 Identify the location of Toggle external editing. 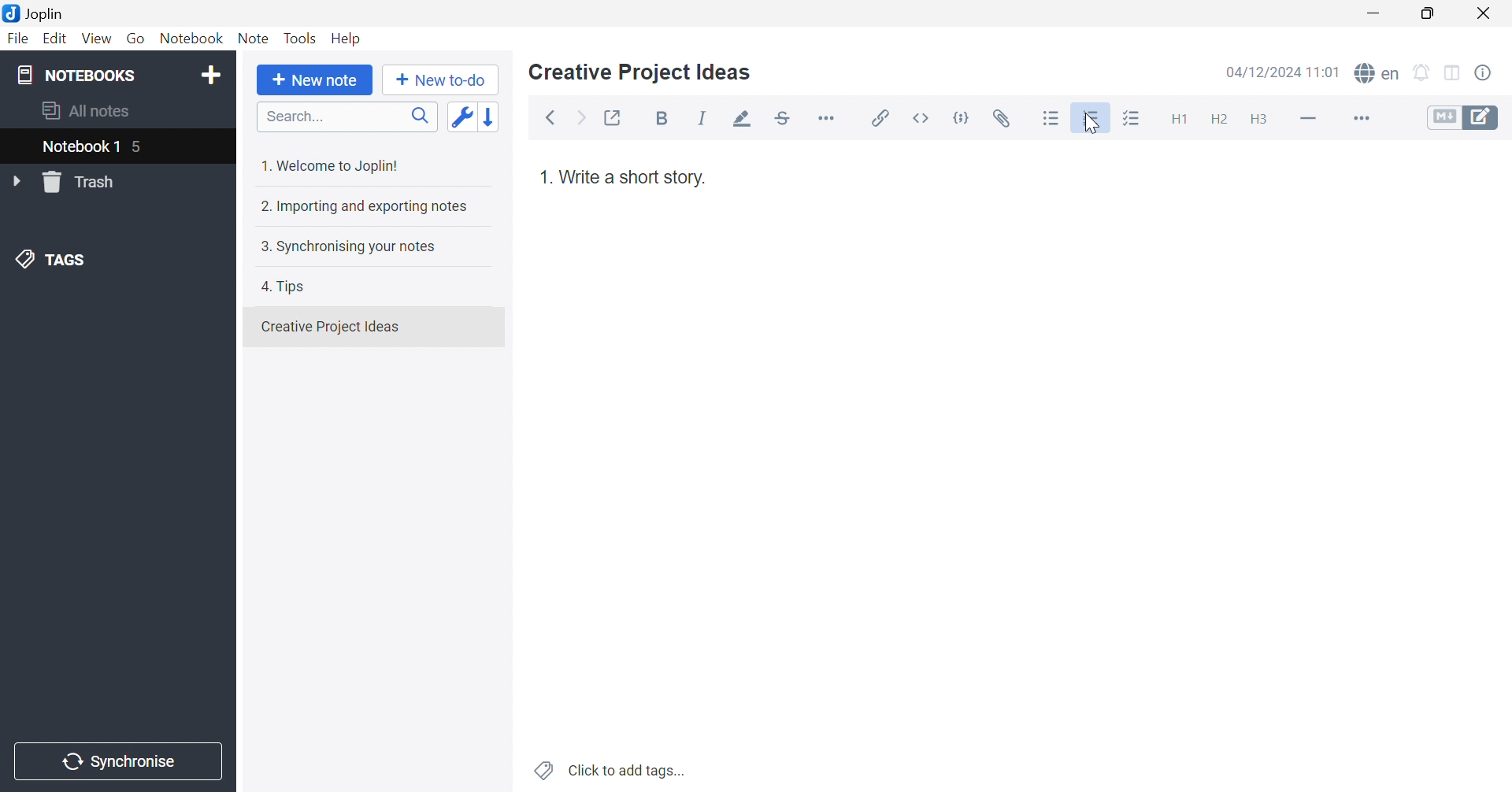
(611, 119).